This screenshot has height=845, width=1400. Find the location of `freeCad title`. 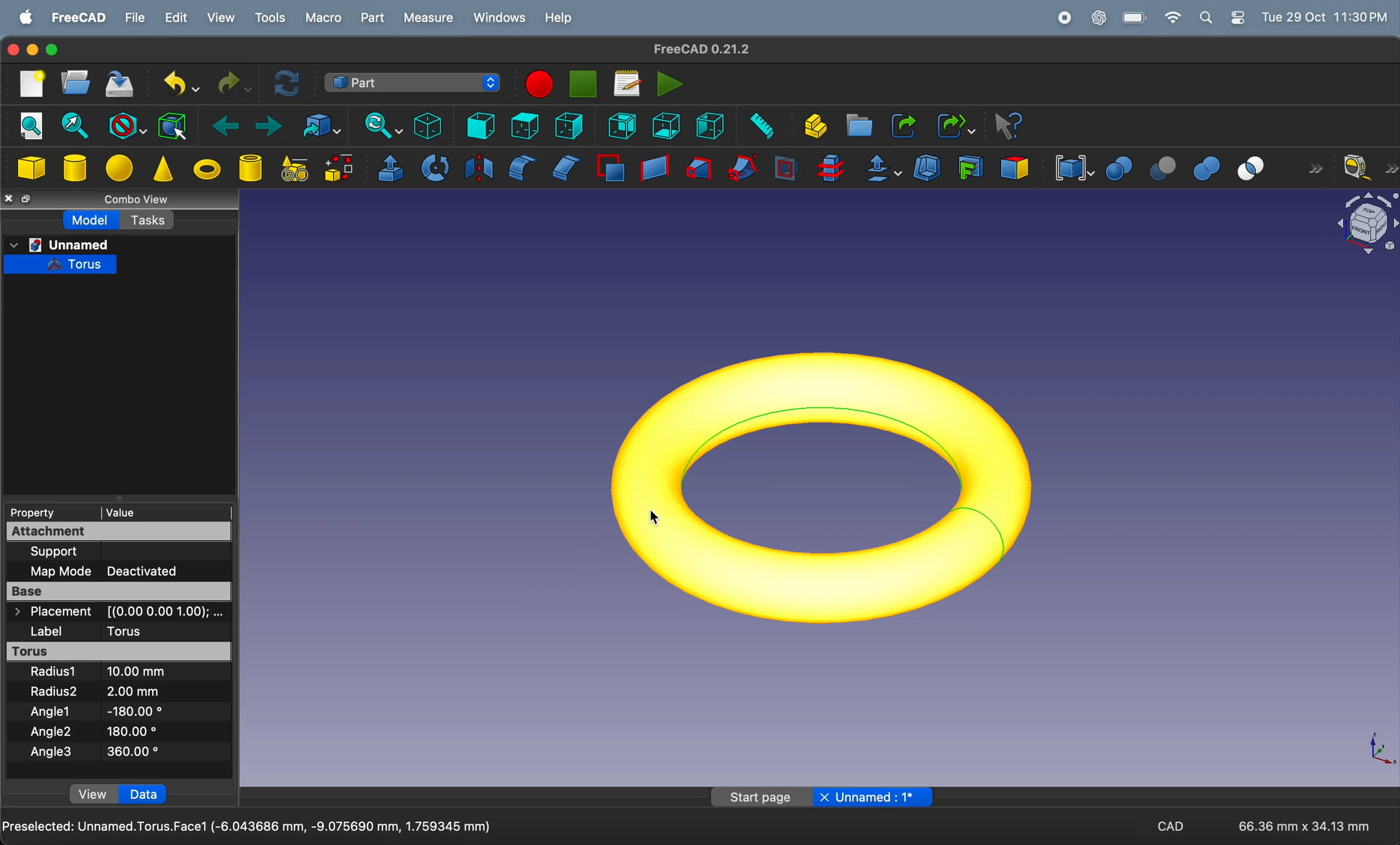

freeCad title is located at coordinates (695, 49).